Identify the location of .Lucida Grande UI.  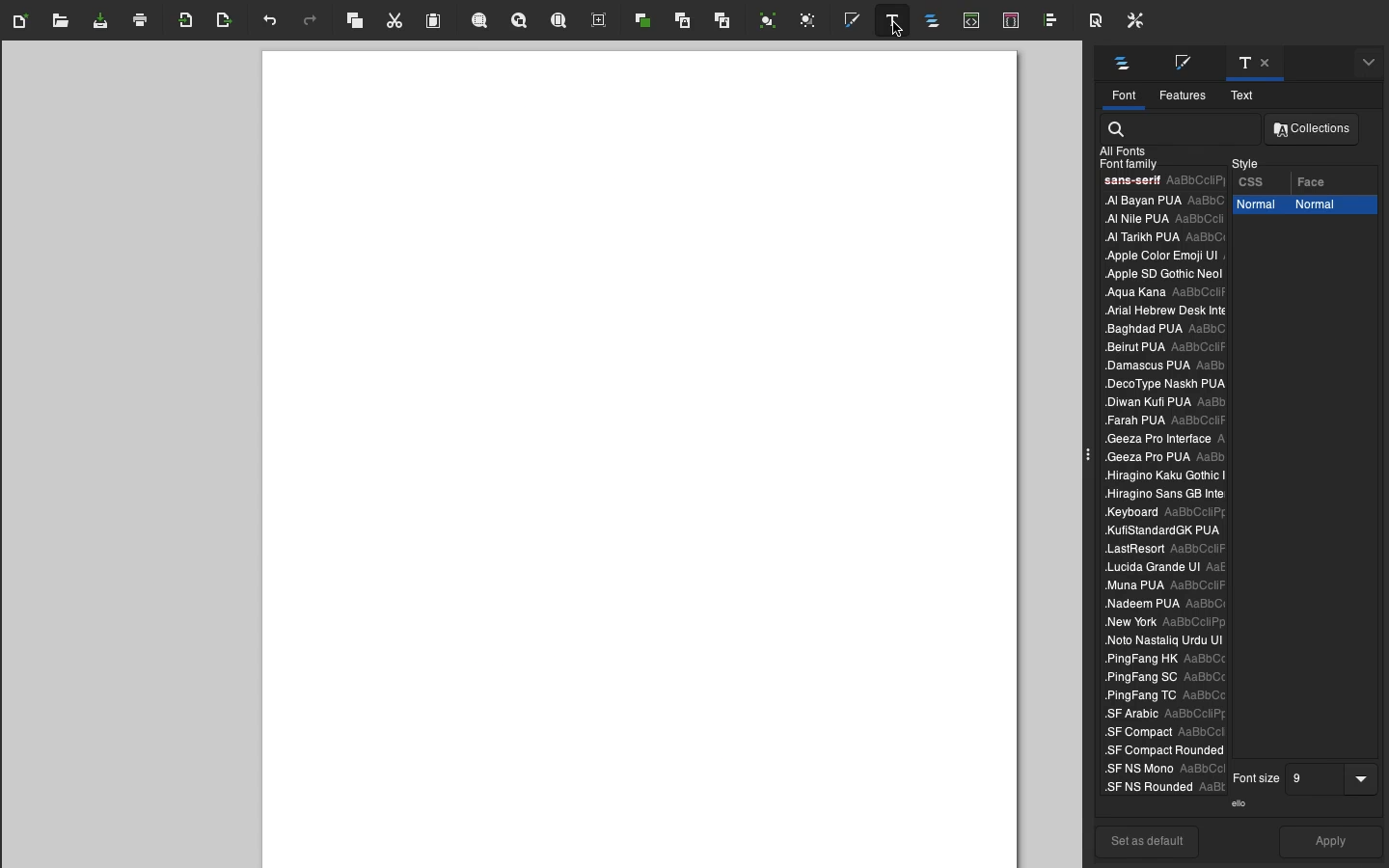
(1165, 567).